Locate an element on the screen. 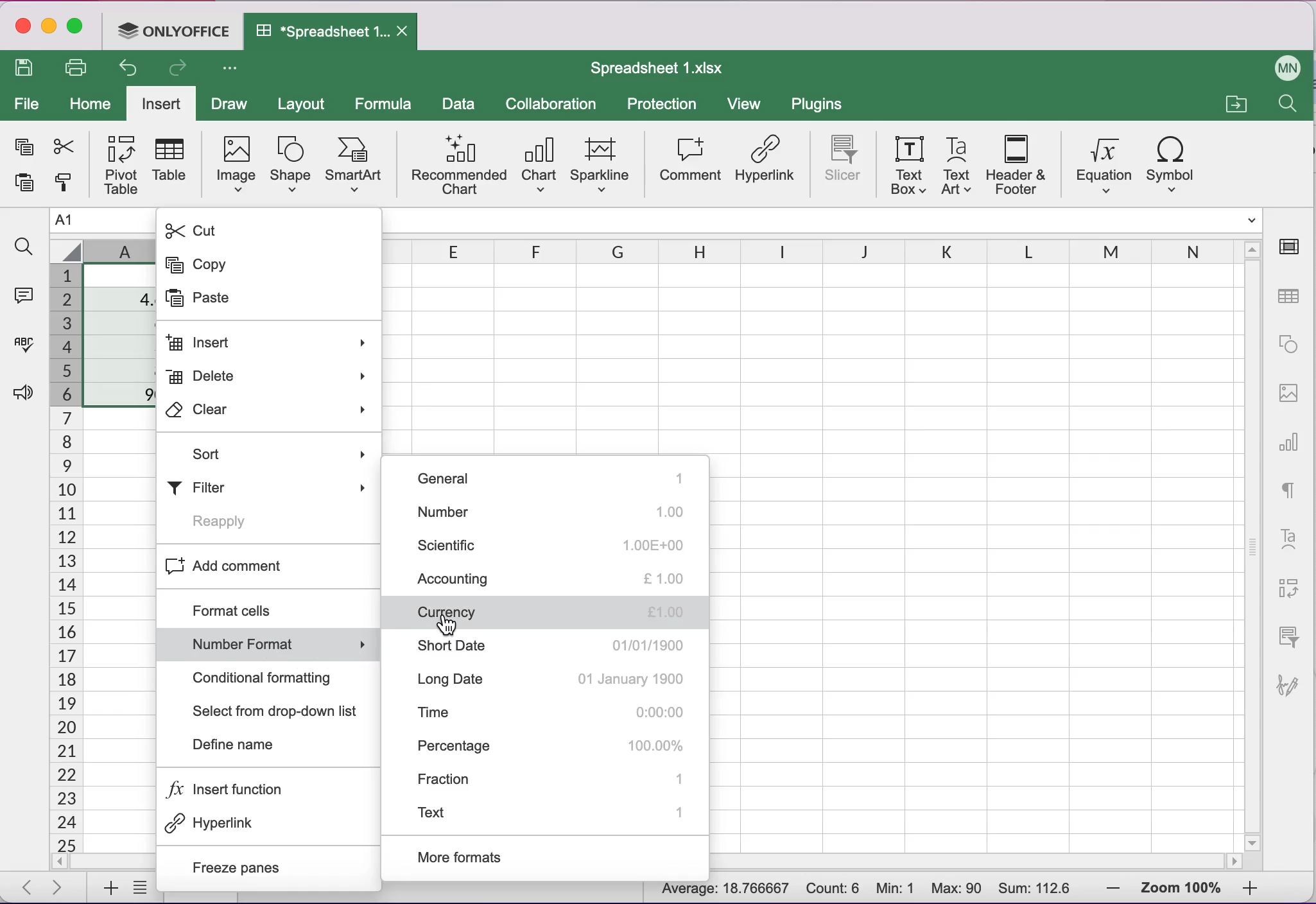 This screenshot has height=904, width=1316. User name is located at coordinates (1283, 67).